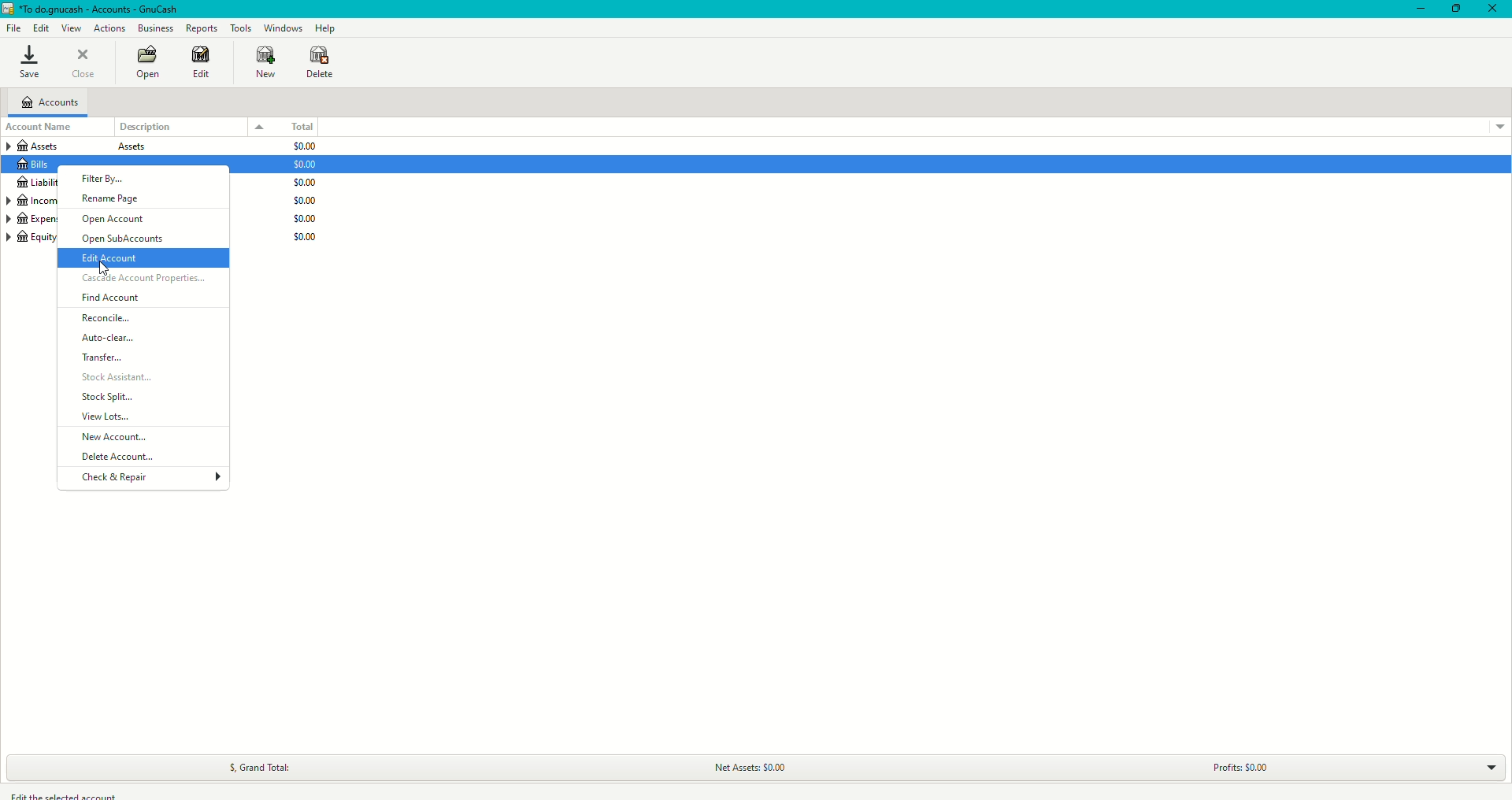  What do you see at coordinates (89, 147) in the screenshot?
I see `Assets` at bounding box center [89, 147].